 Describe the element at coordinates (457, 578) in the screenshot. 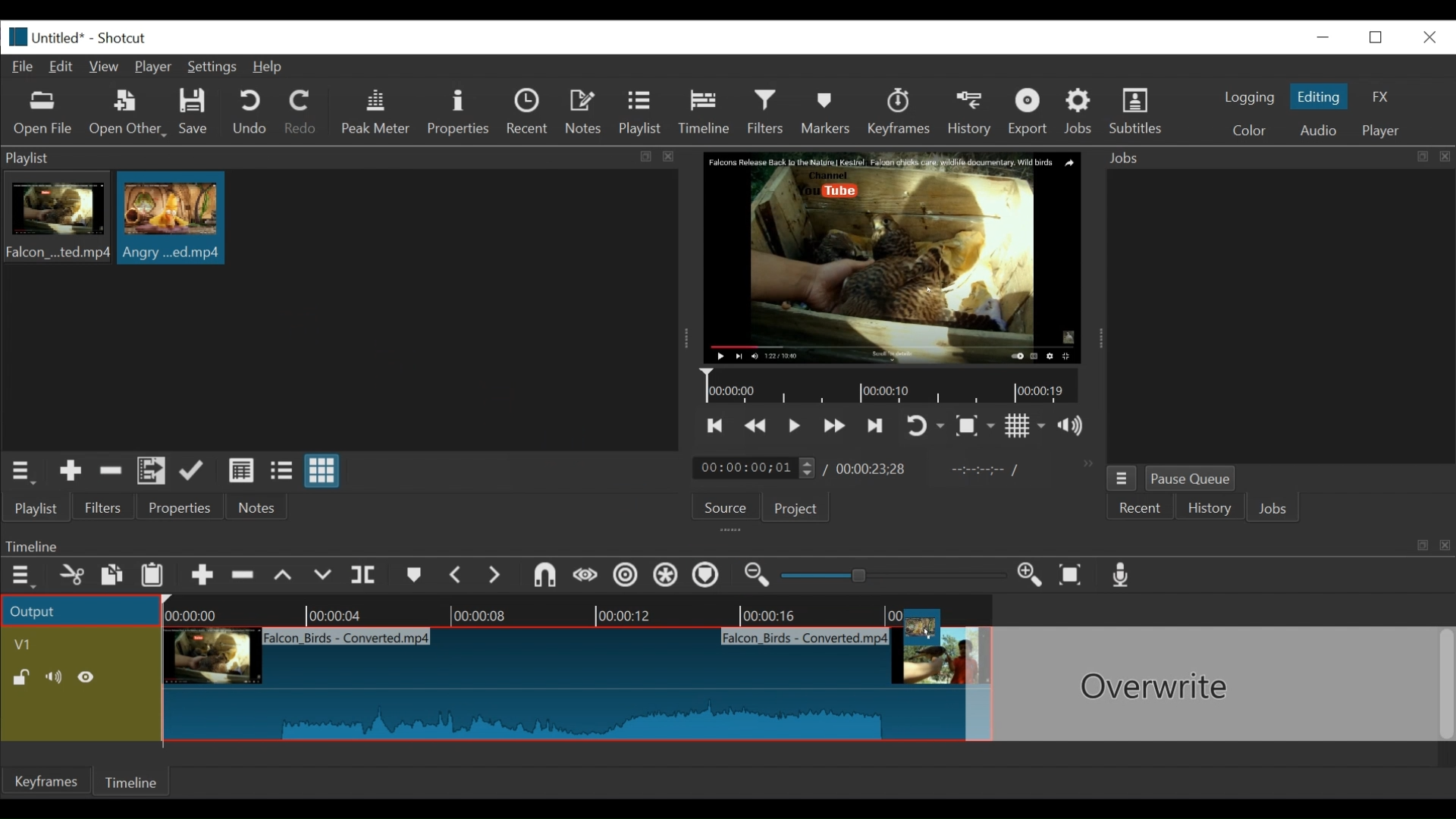

I see `Previous marker` at that location.